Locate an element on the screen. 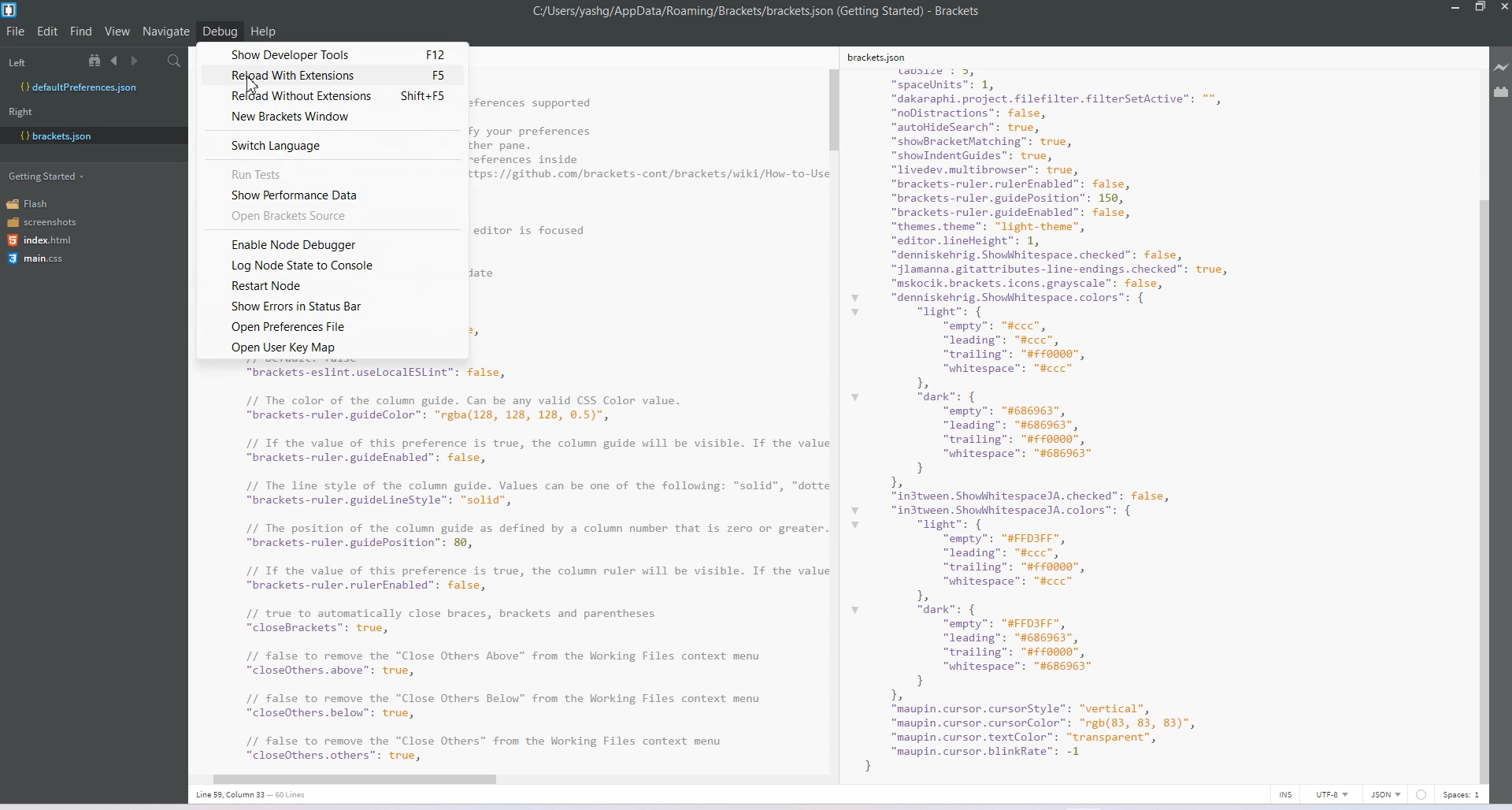  Run tests is located at coordinates (335, 173).